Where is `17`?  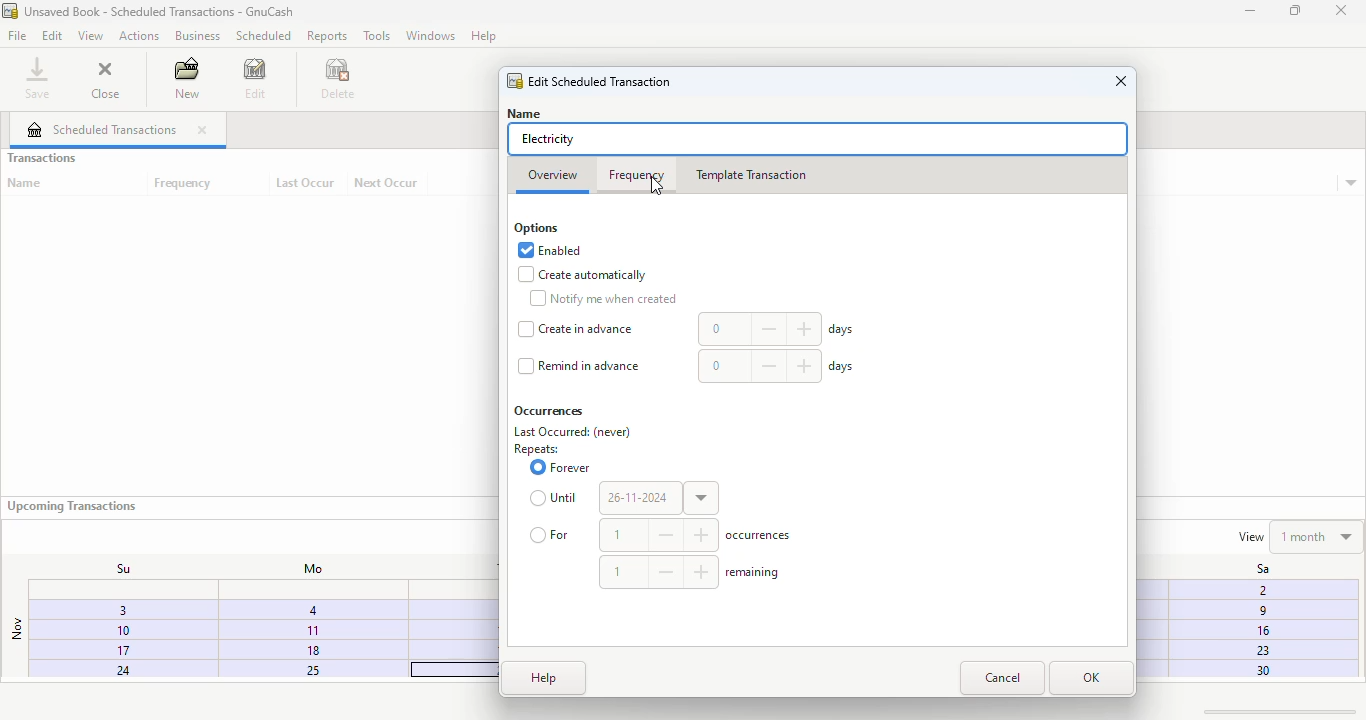
17 is located at coordinates (104, 652).